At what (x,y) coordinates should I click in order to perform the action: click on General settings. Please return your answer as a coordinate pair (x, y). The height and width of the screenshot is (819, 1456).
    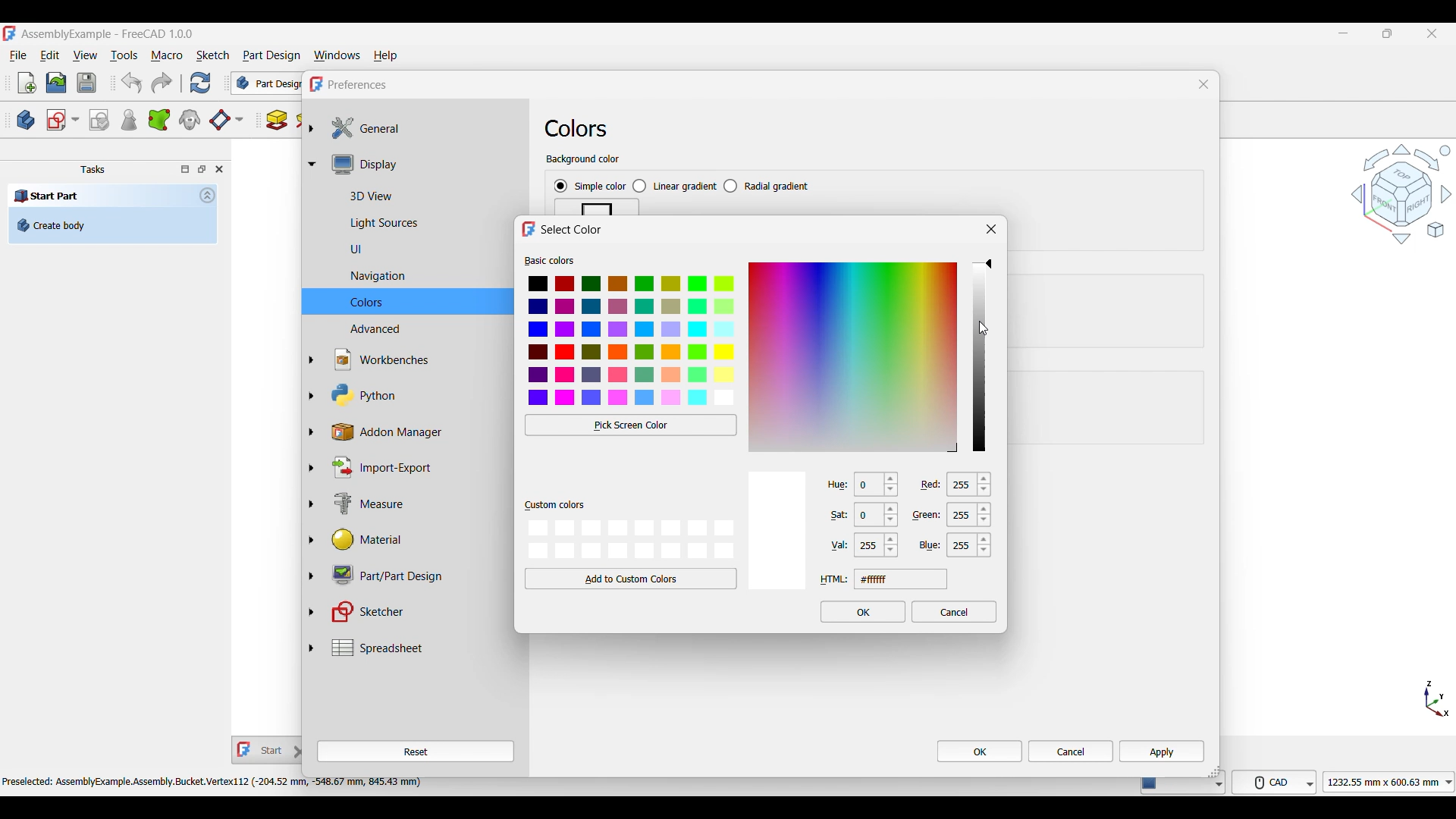
    Looking at the image, I should click on (424, 128).